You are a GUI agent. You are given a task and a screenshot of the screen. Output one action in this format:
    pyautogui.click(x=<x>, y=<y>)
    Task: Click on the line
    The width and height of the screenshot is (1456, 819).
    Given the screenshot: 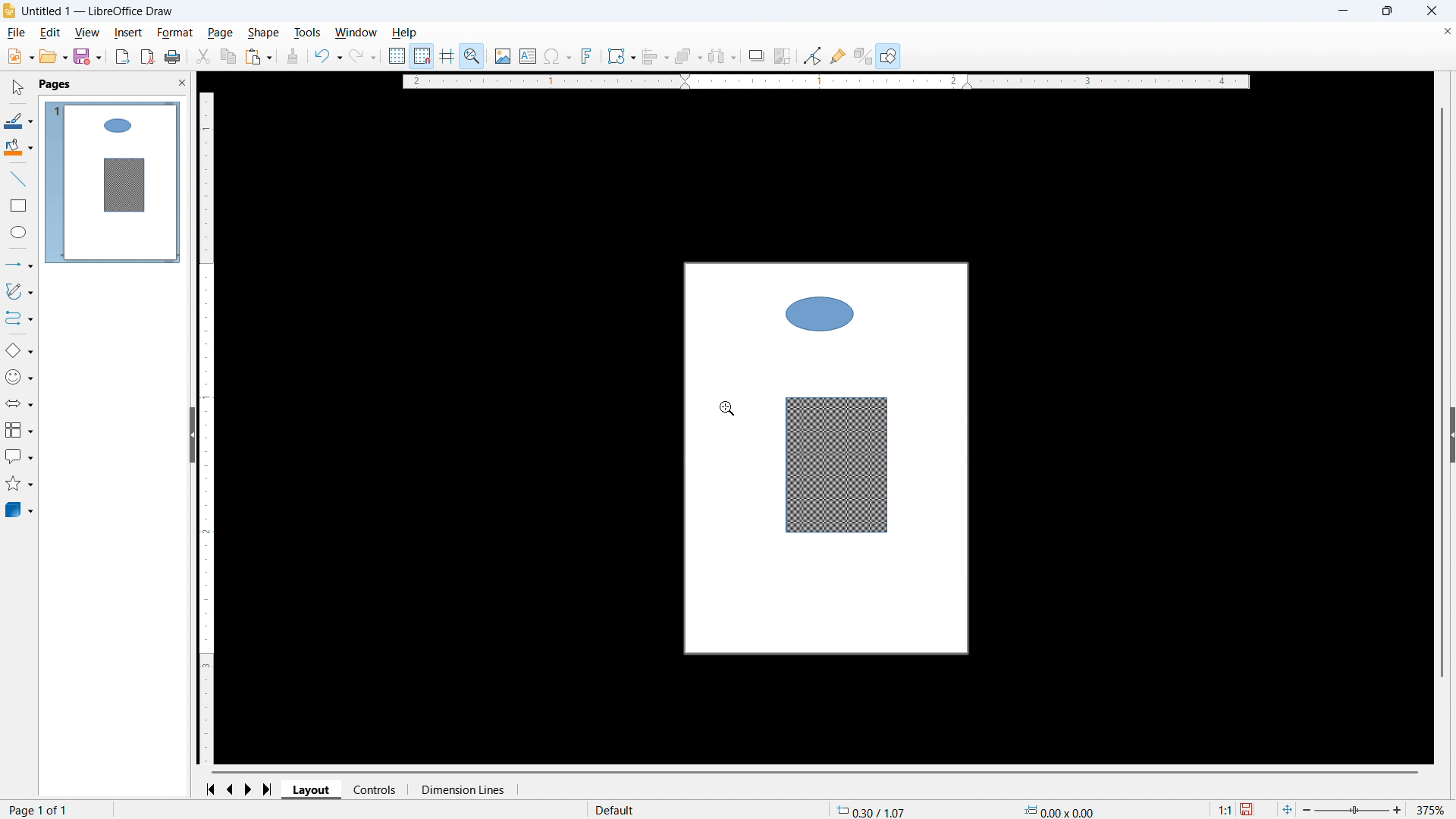 What is the action you would take?
    pyautogui.click(x=17, y=179)
    